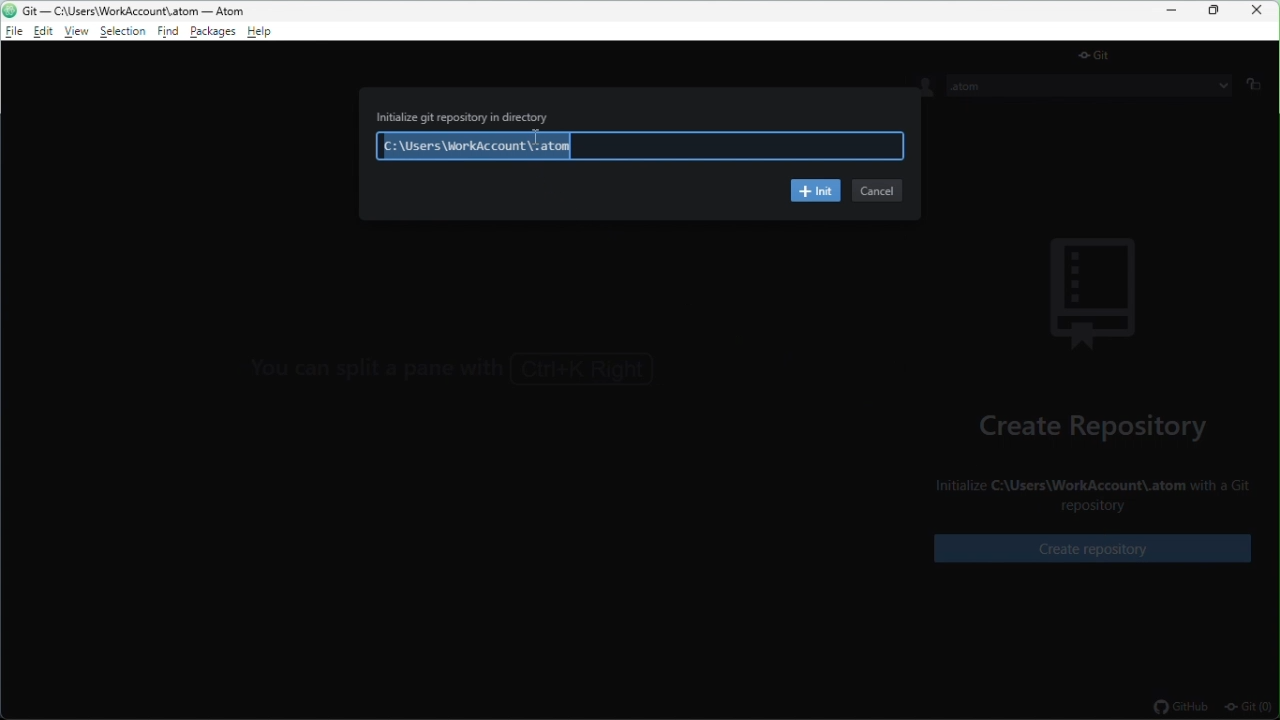 This screenshot has width=1280, height=720. What do you see at coordinates (172, 33) in the screenshot?
I see `find` at bounding box center [172, 33].